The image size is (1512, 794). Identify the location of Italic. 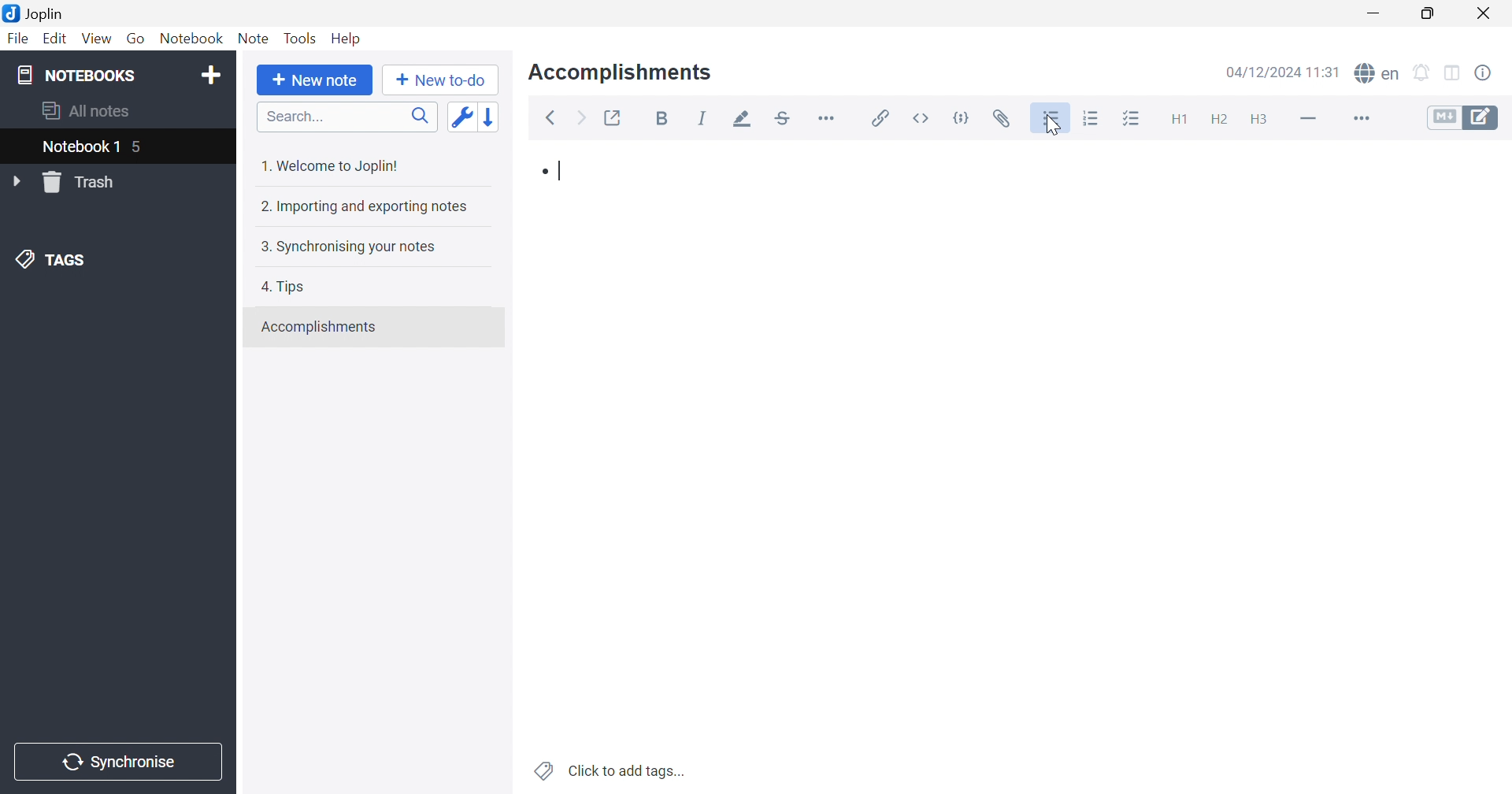
(706, 118).